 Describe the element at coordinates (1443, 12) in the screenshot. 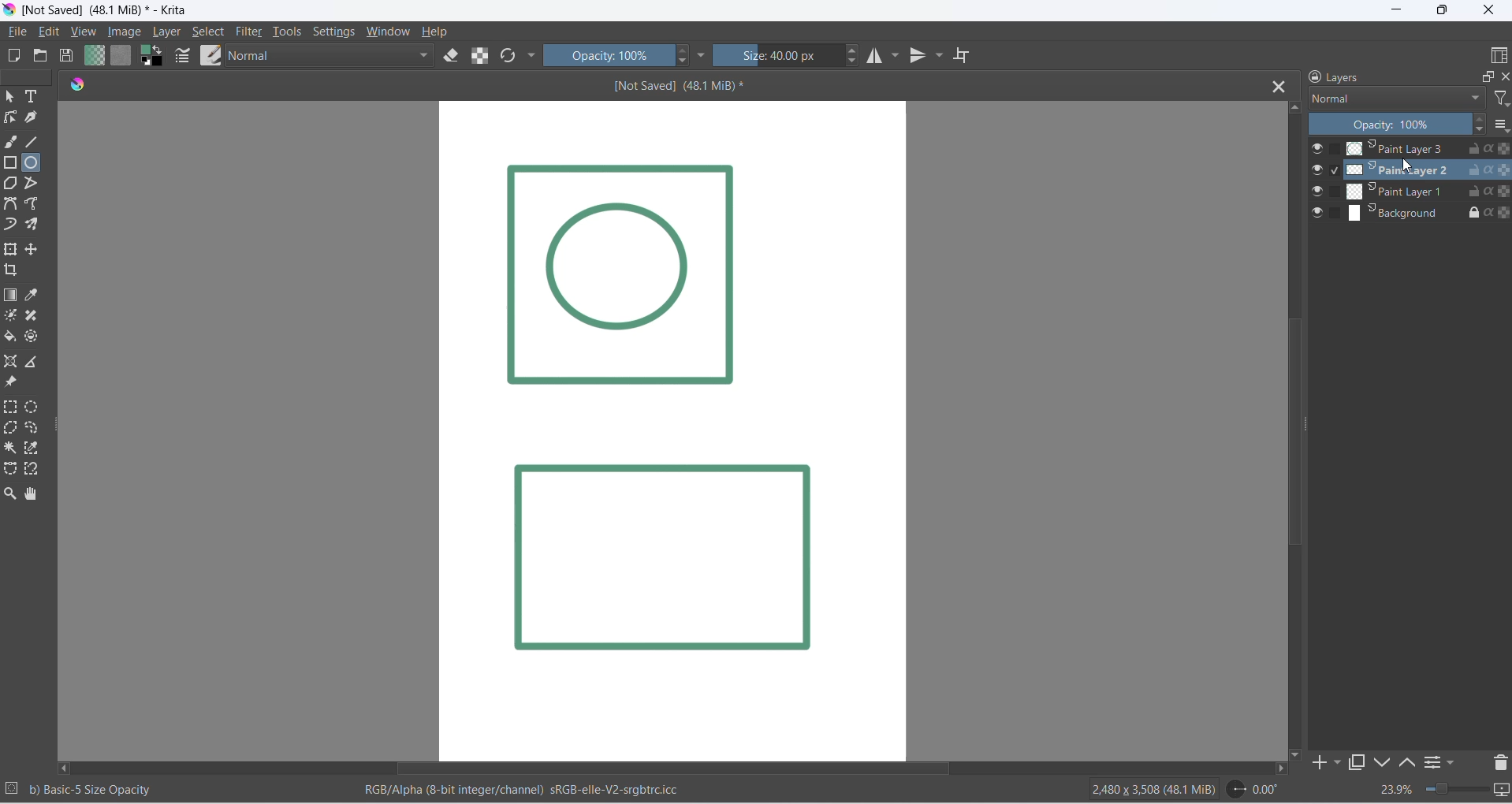

I see `maximize` at that location.